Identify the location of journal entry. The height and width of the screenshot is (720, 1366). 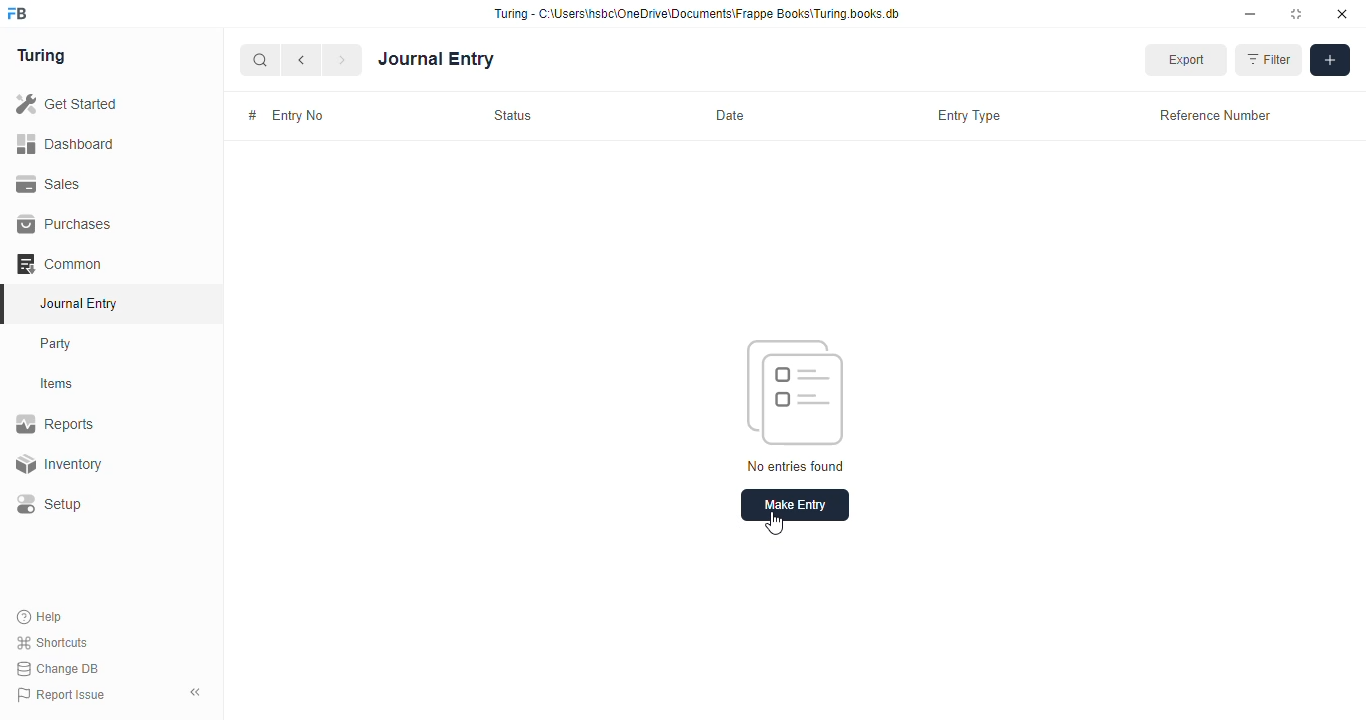
(437, 59).